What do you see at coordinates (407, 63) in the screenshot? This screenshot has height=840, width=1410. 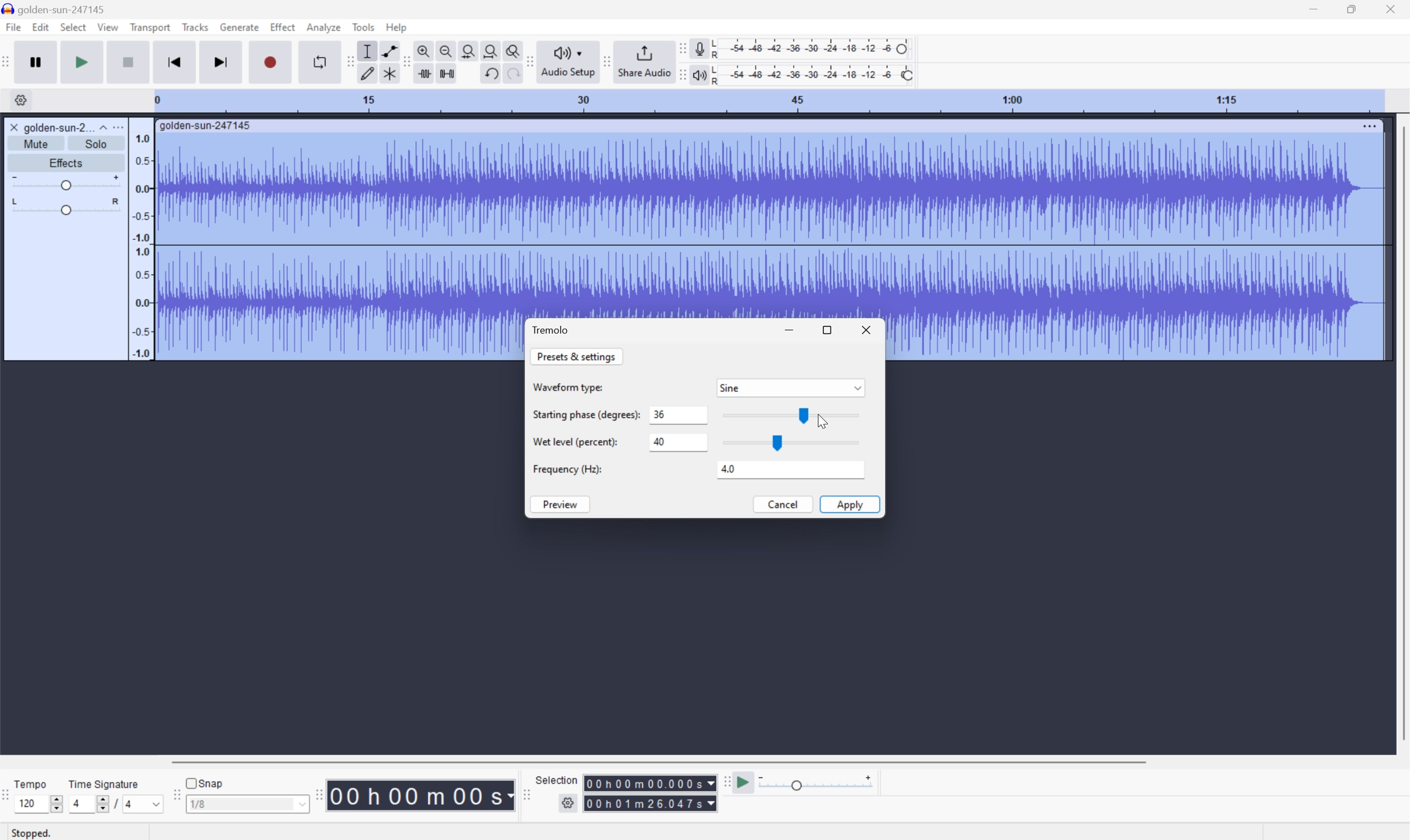 I see `Audacity edit toolbar` at bounding box center [407, 63].